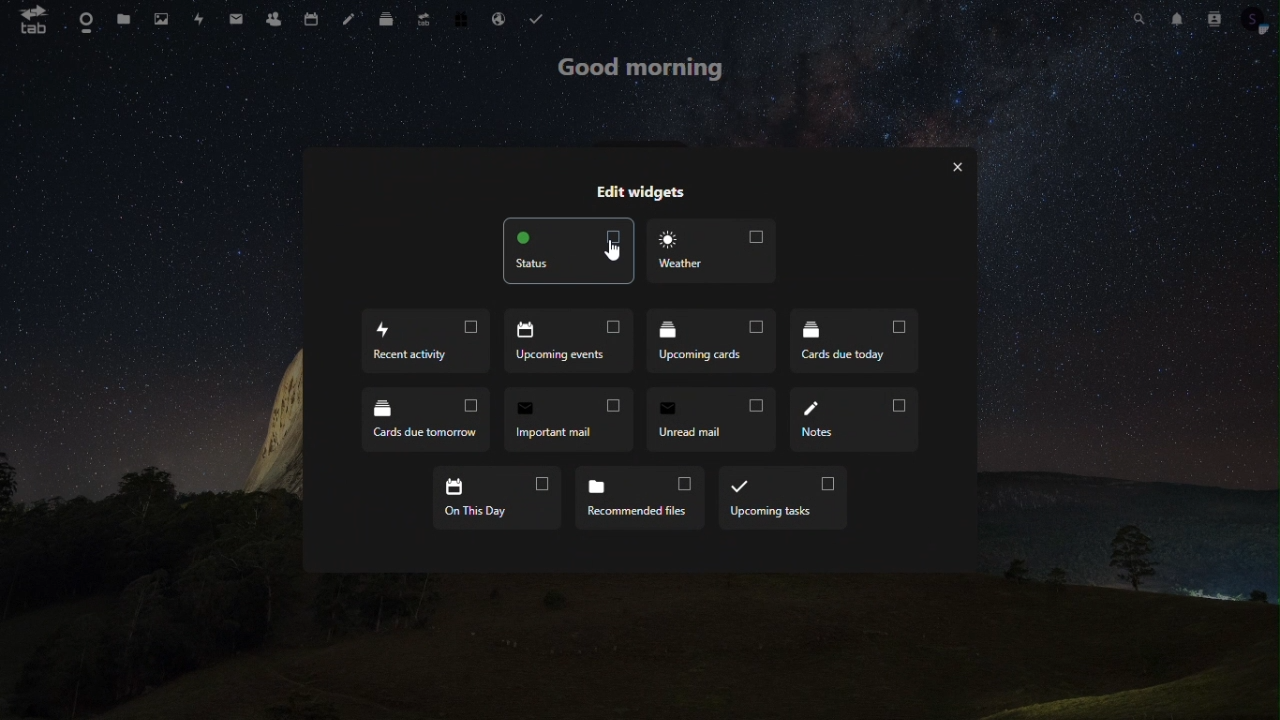 The width and height of the screenshot is (1280, 720). I want to click on notes, so click(857, 419).